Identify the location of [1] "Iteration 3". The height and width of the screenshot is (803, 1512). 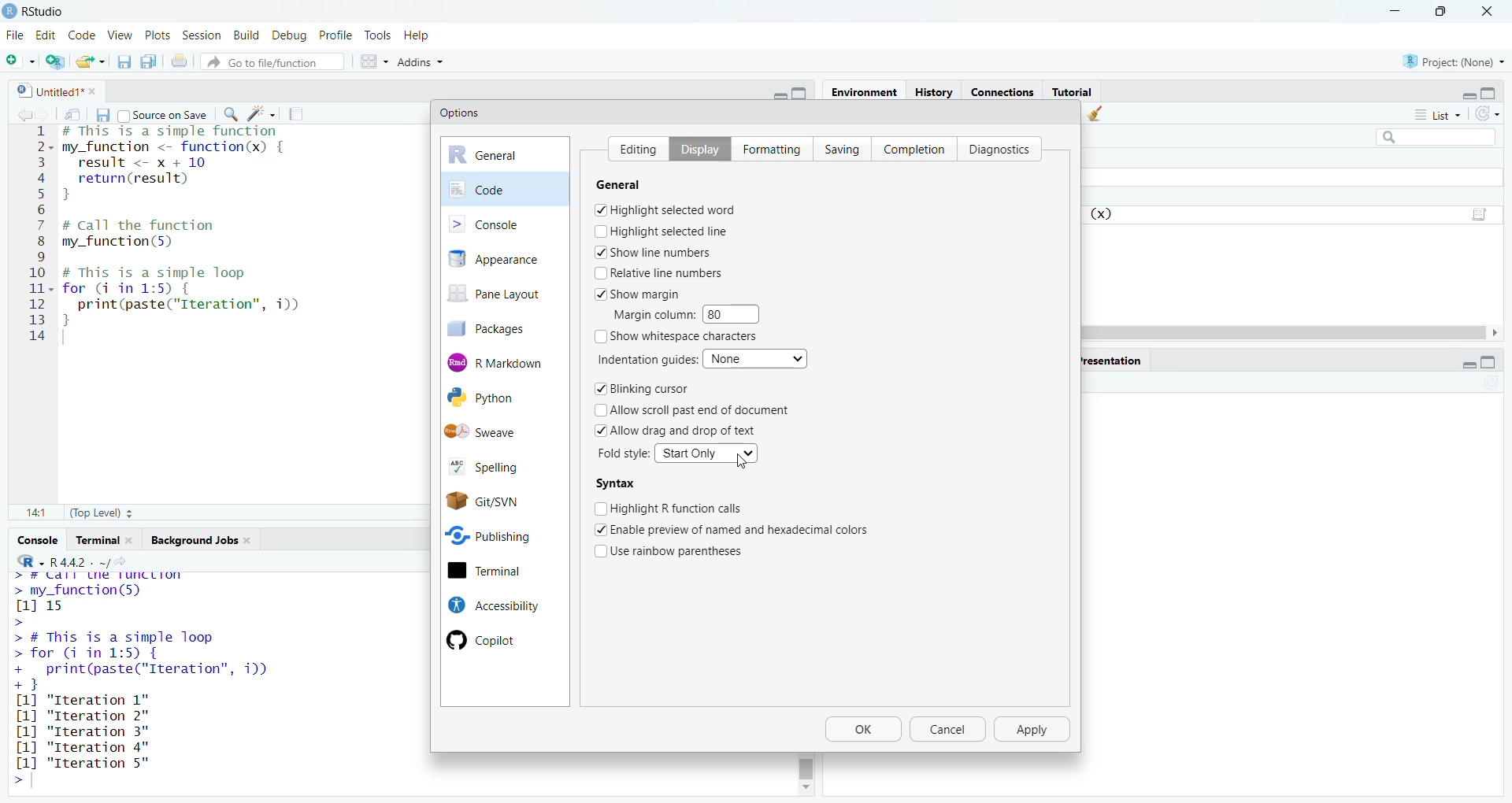
(80, 747).